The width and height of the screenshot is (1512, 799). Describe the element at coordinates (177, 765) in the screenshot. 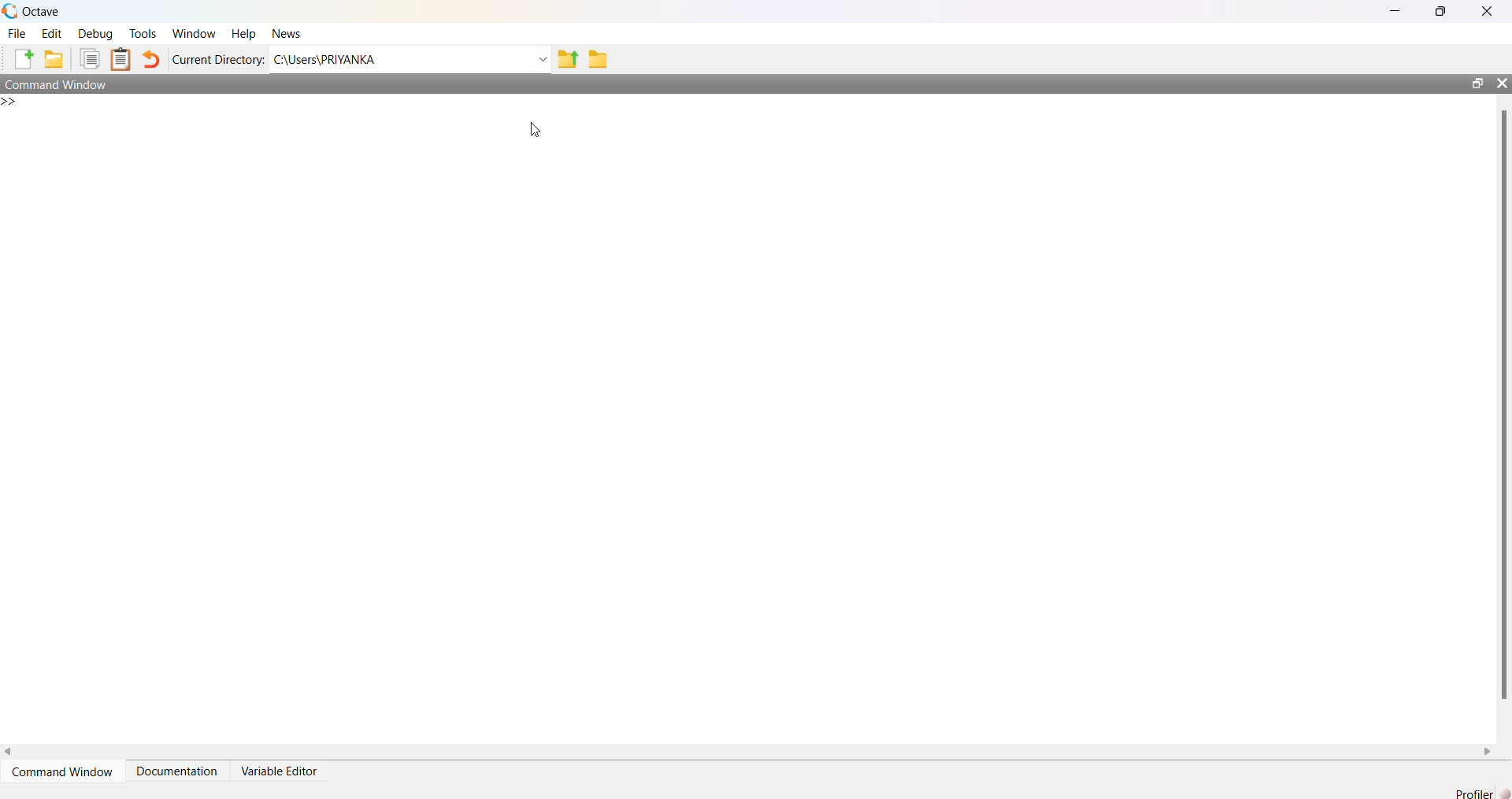

I see `Documentation` at that location.